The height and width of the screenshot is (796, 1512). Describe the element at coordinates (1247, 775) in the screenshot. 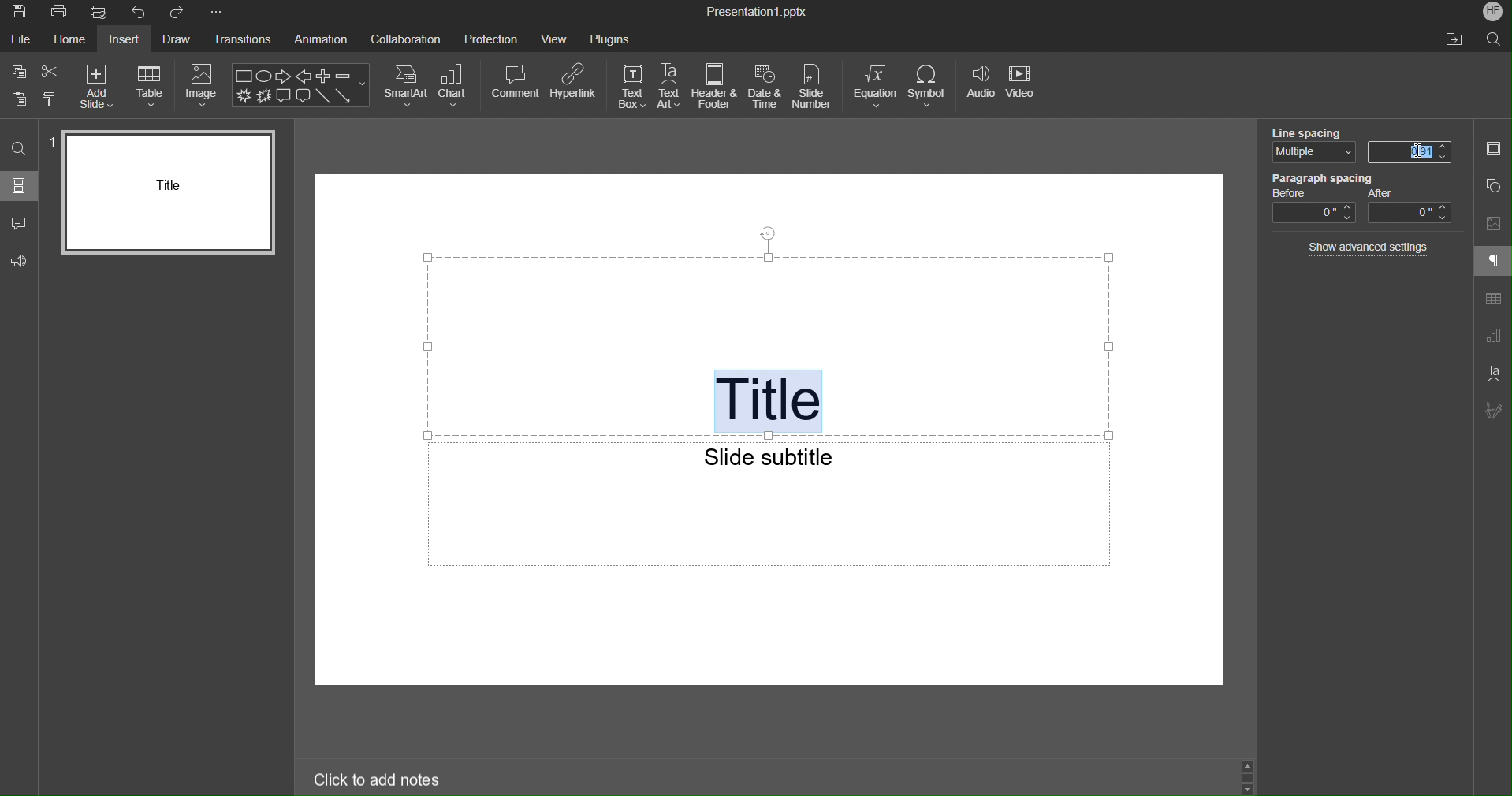

I see `Scroll Up and Down buttons` at that location.